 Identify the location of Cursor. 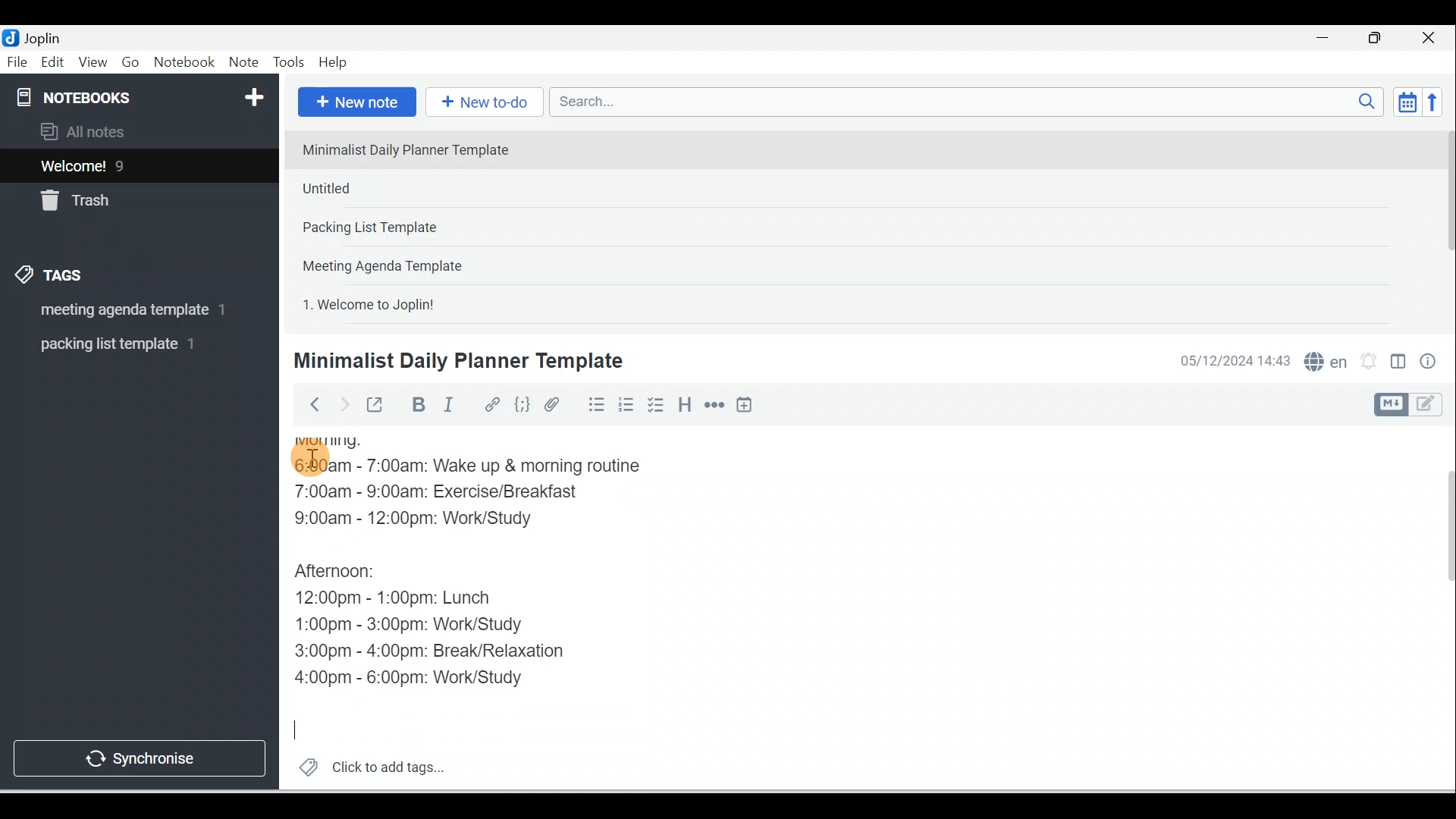
(311, 455).